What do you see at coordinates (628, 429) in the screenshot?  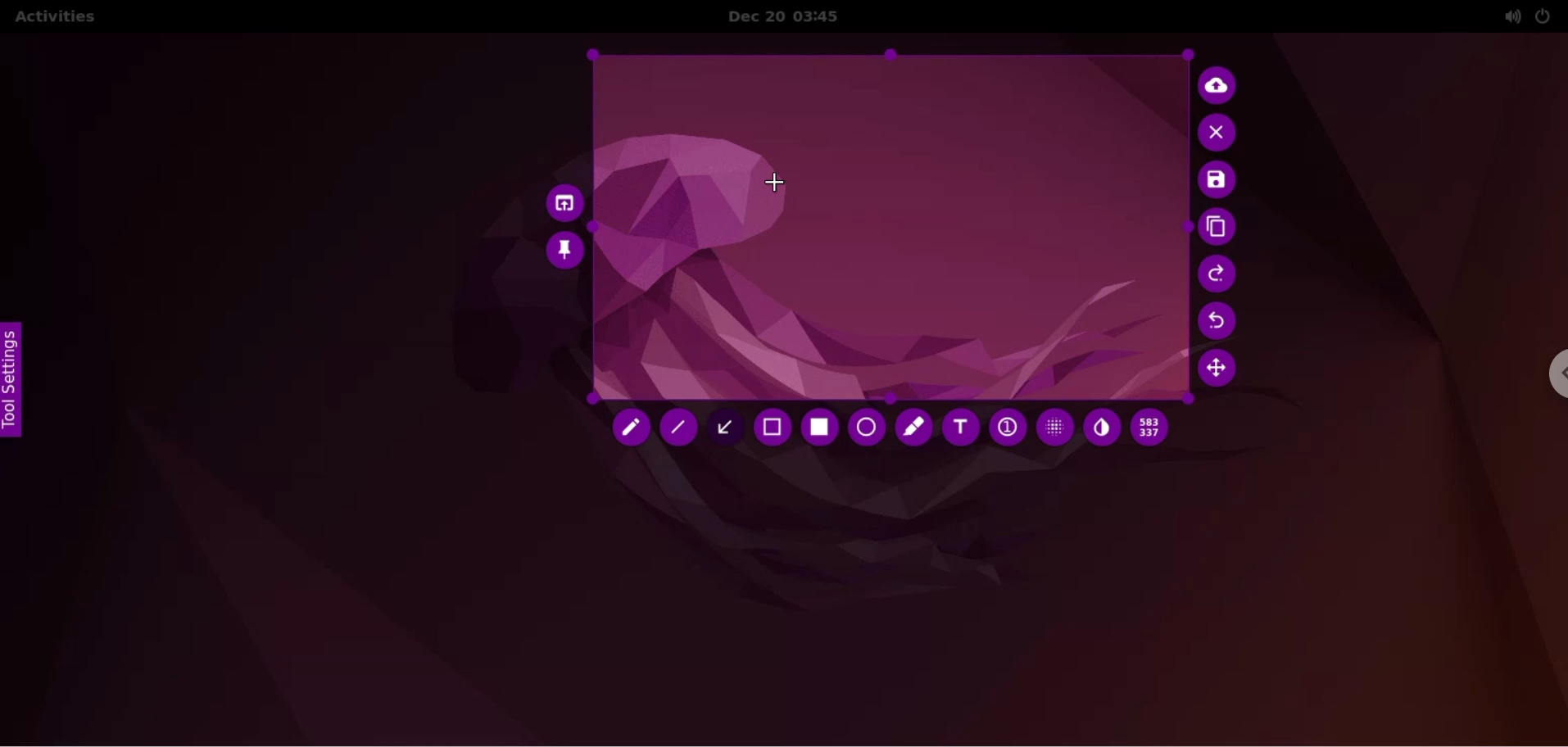 I see `pencil` at bounding box center [628, 429].